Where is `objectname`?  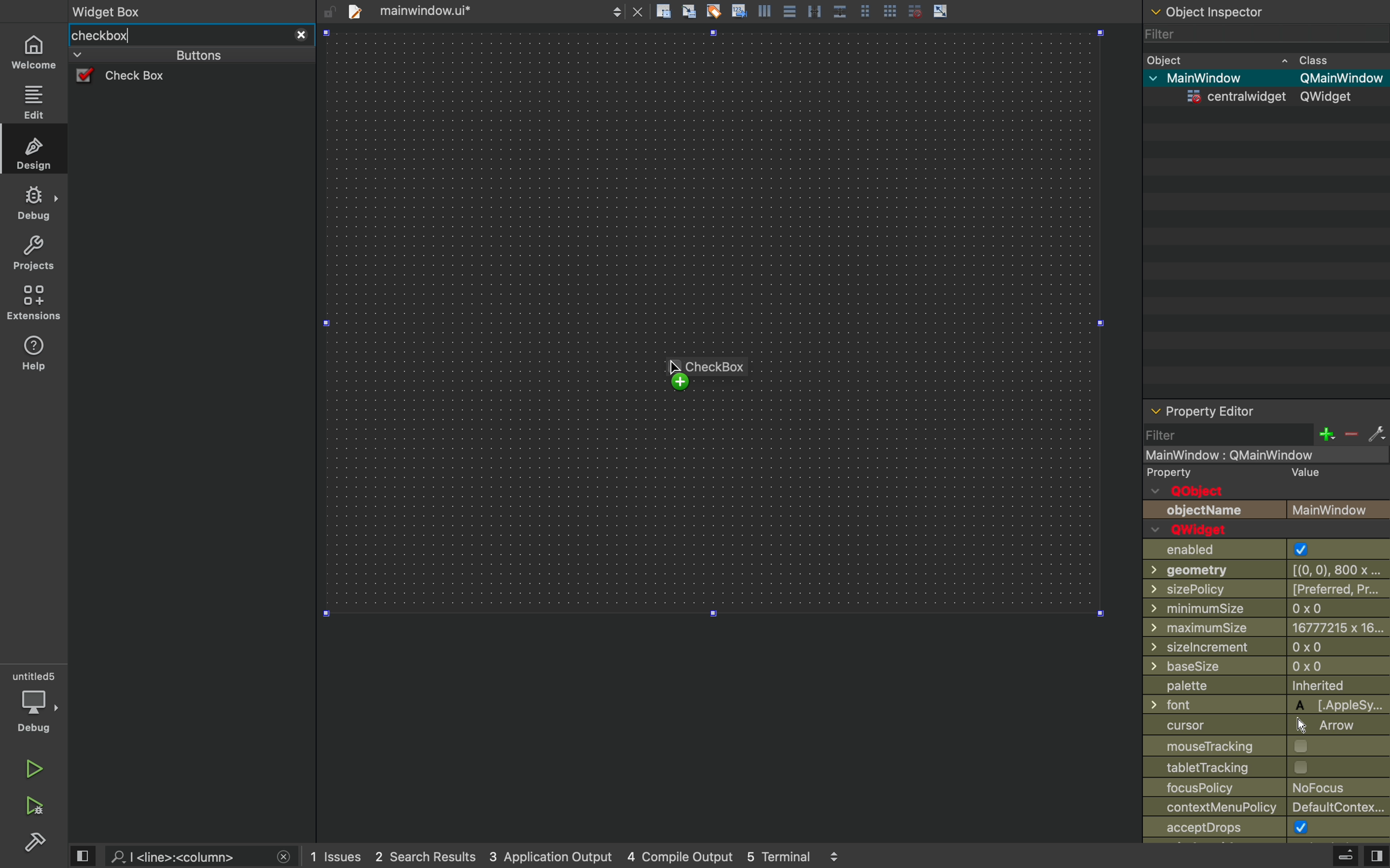
objectname is located at coordinates (1266, 510).